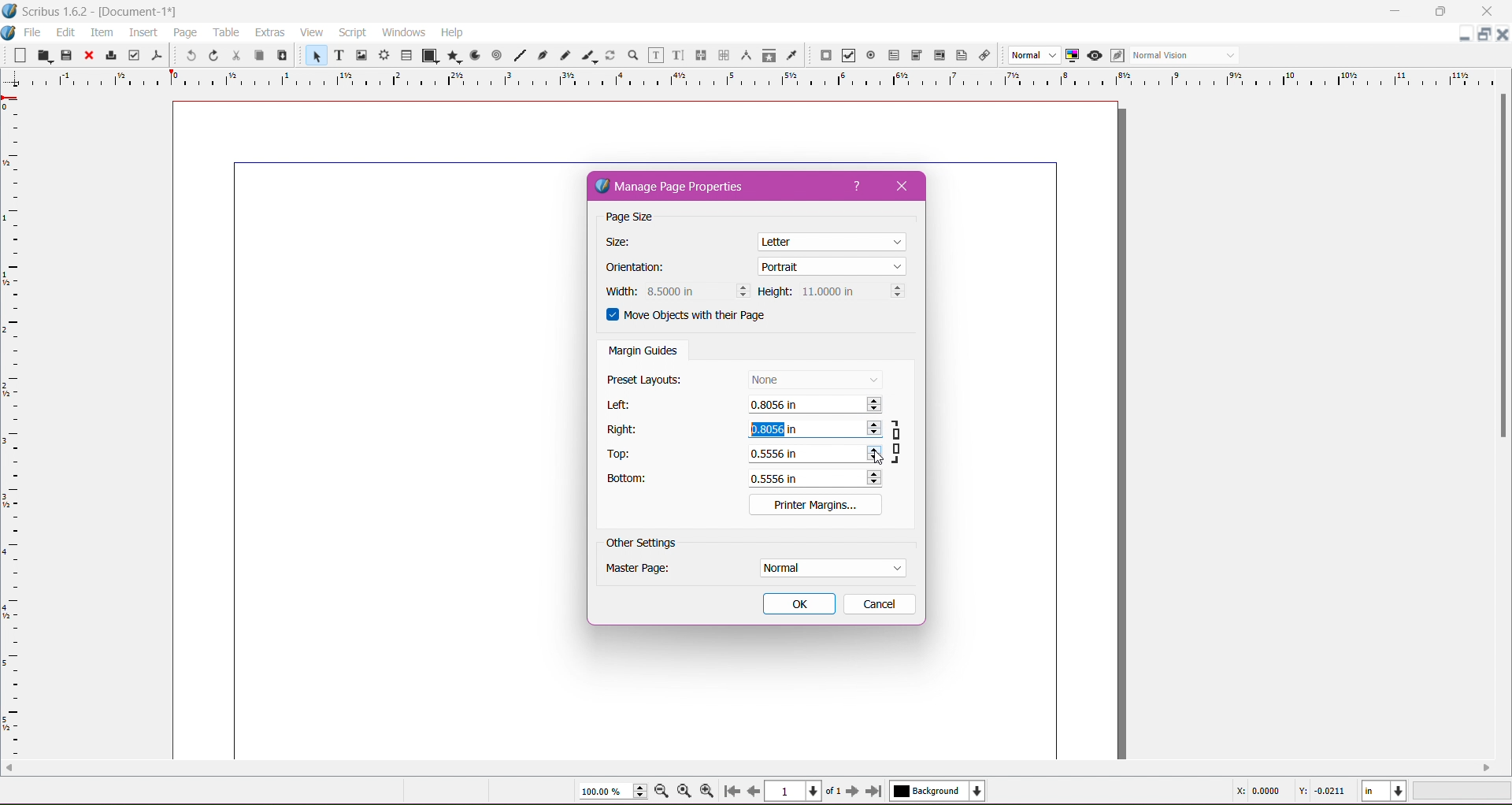  I want to click on Script, so click(352, 32).